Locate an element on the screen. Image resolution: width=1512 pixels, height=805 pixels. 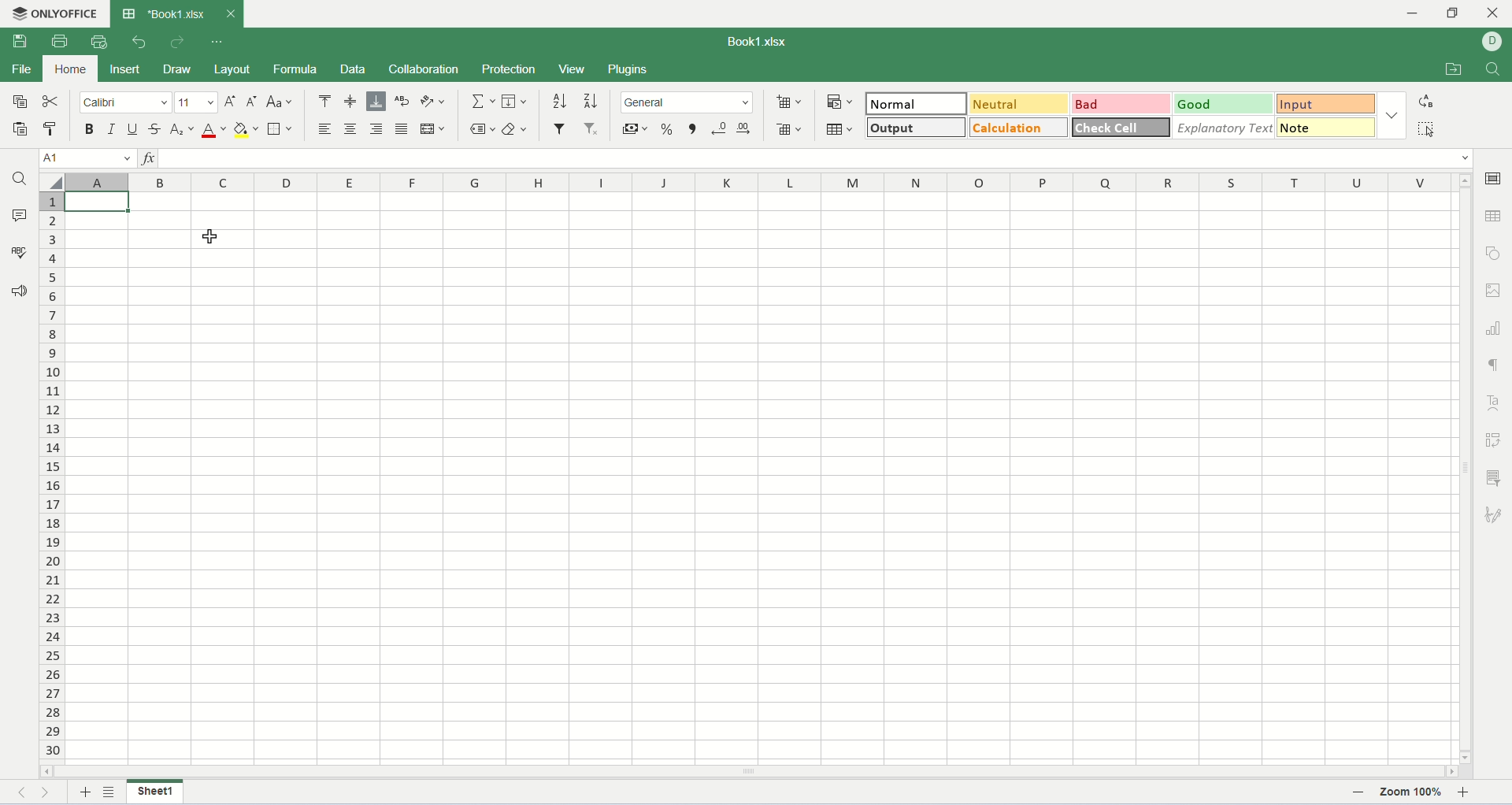
new sheet is located at coordinates (86, 793).